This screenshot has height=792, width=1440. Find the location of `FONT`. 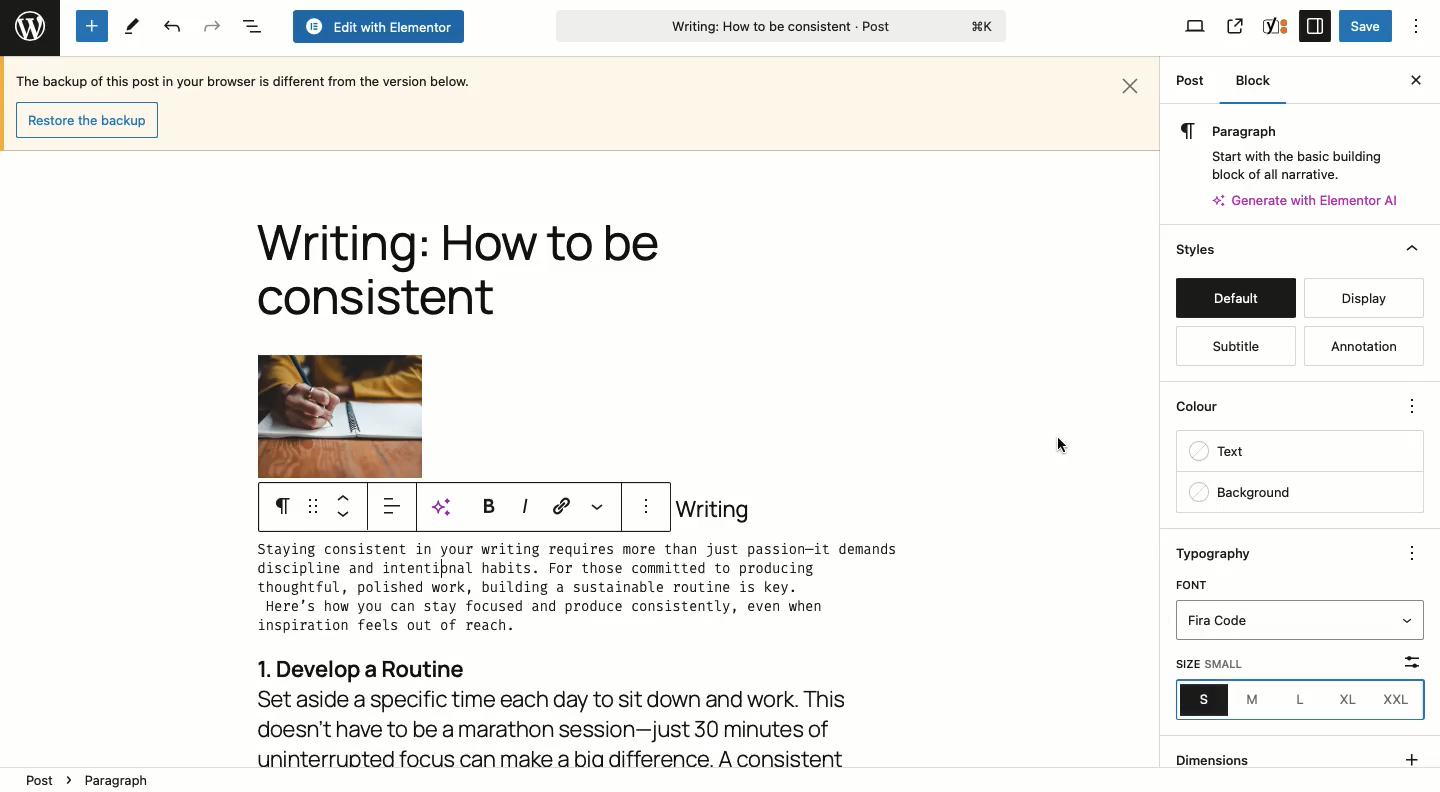

FONT is located at coordinates (1194, 583).